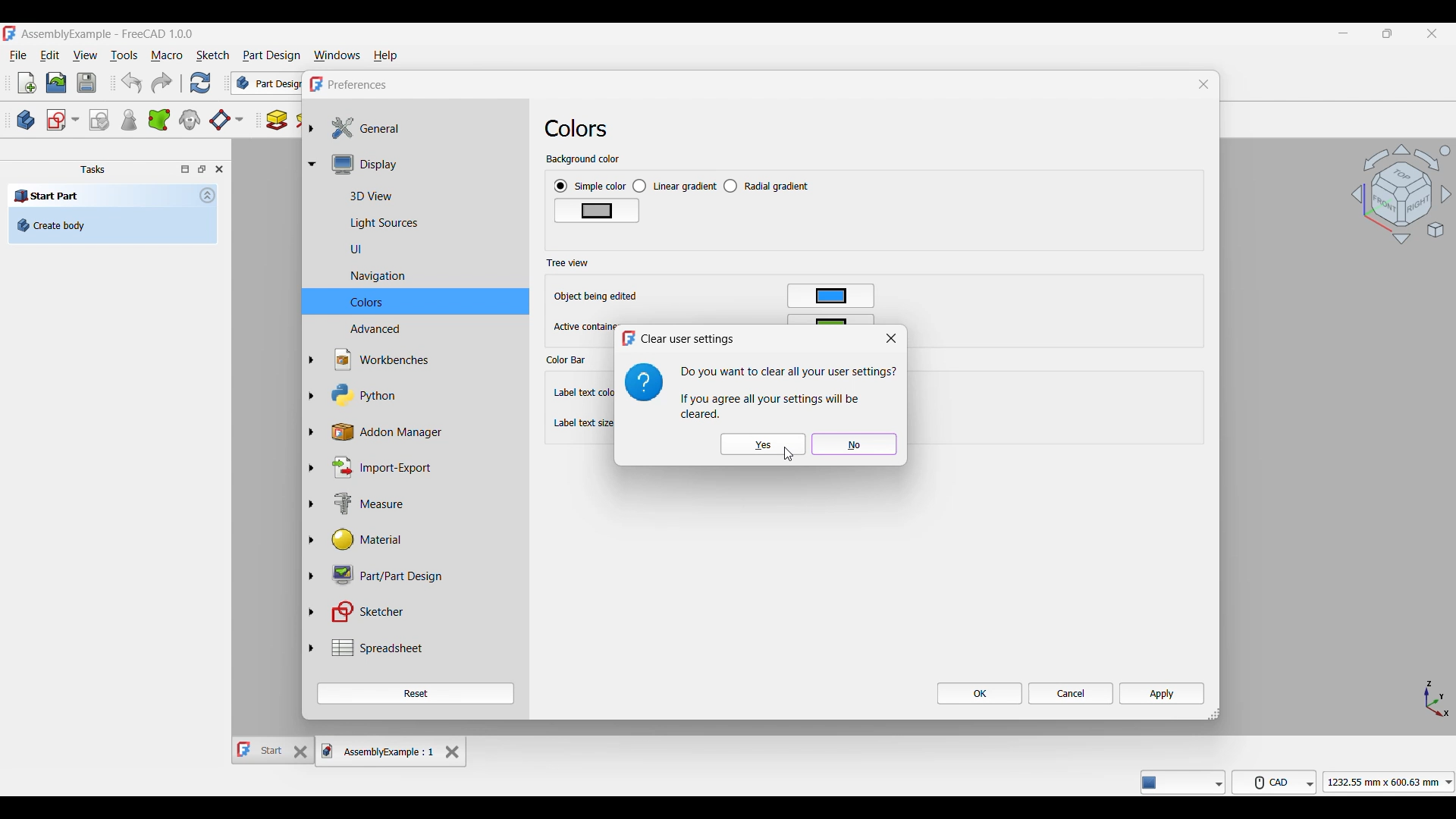  I want to click on Part/Part design, so click(379, 576).